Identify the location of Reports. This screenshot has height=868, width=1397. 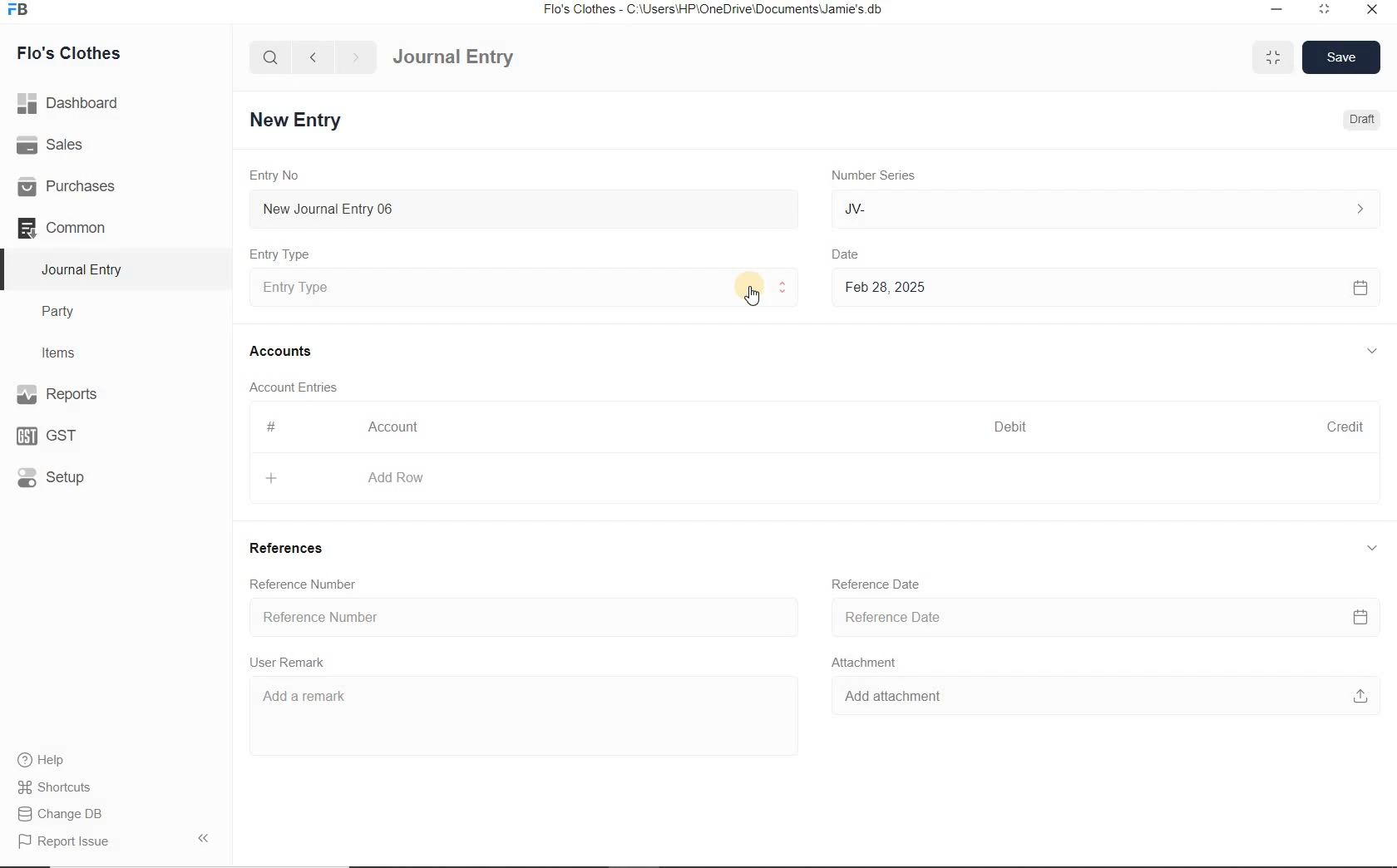
(83, 396).